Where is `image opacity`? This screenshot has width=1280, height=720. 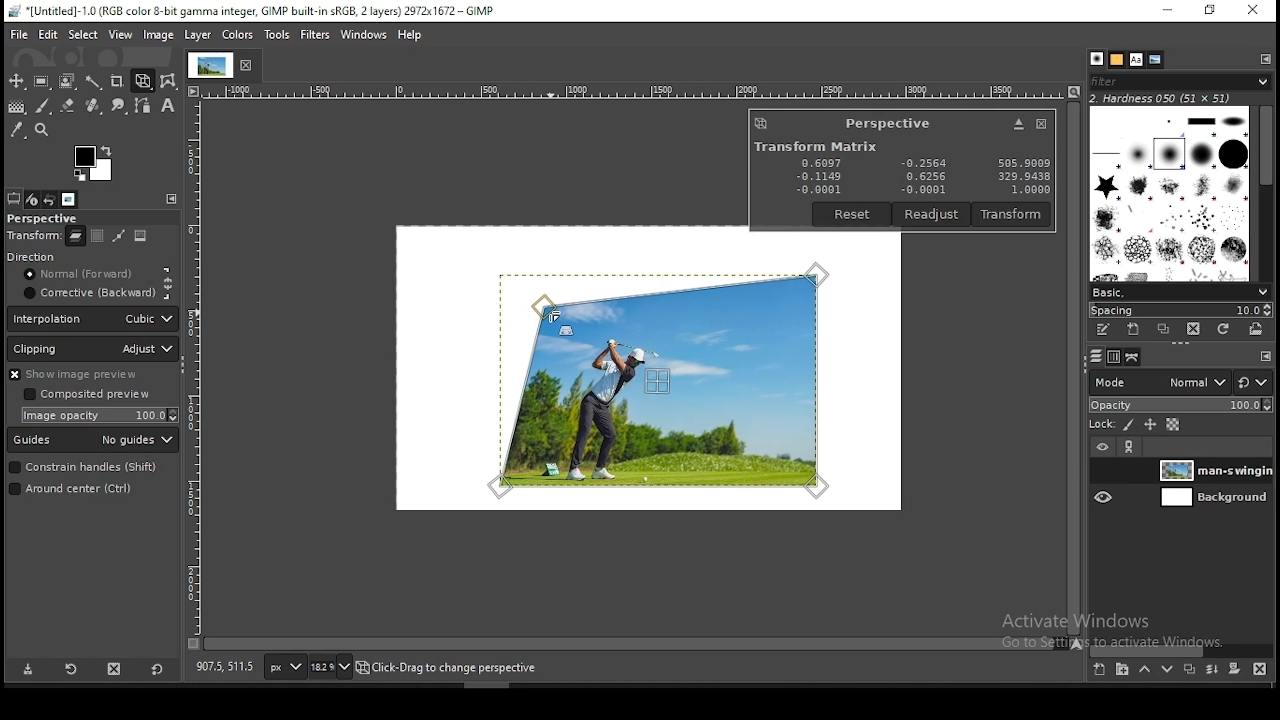 image opacity is located at coordinates (103, 415).